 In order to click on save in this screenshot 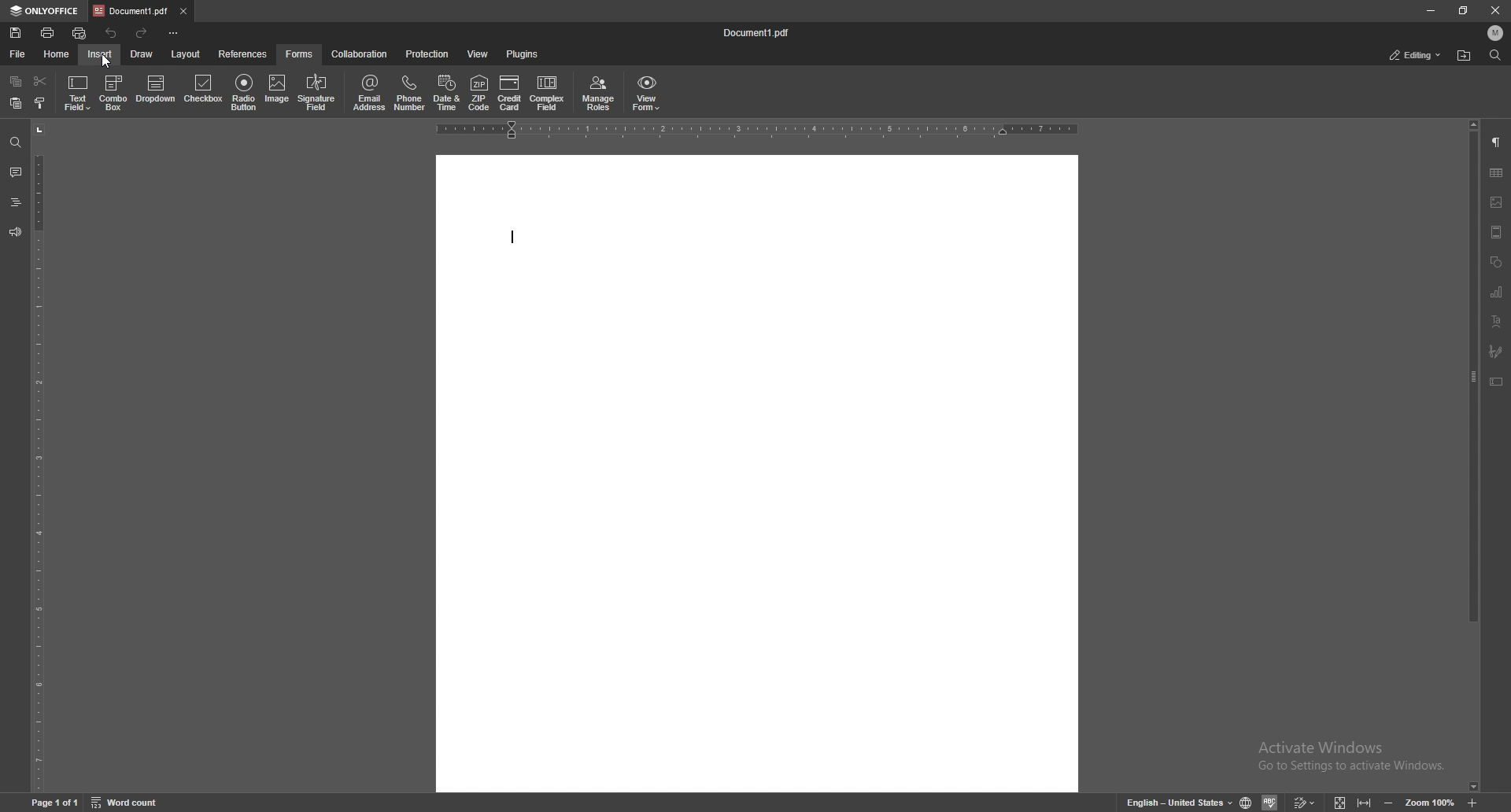, I will do `click(17, 33)`.